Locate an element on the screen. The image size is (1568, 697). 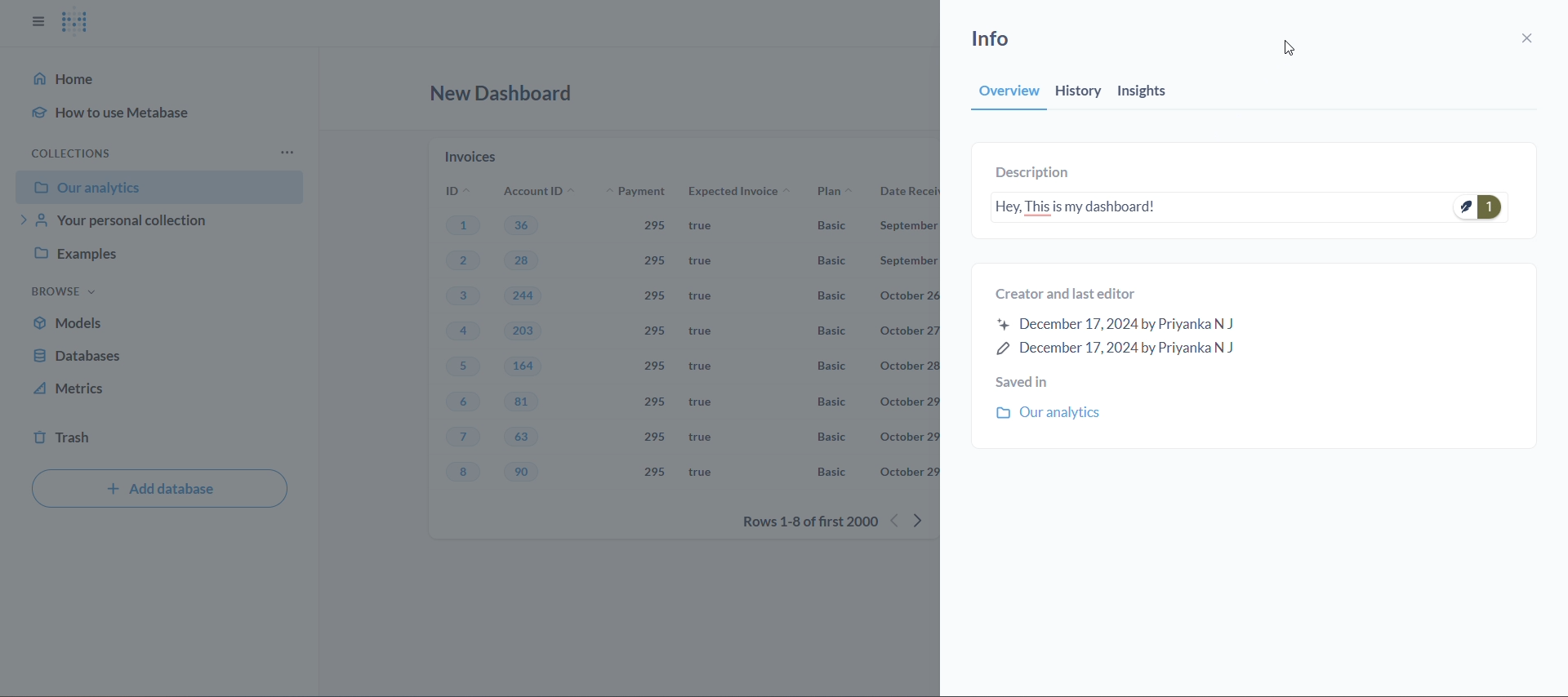
295 is located at coordinates (656, 295).